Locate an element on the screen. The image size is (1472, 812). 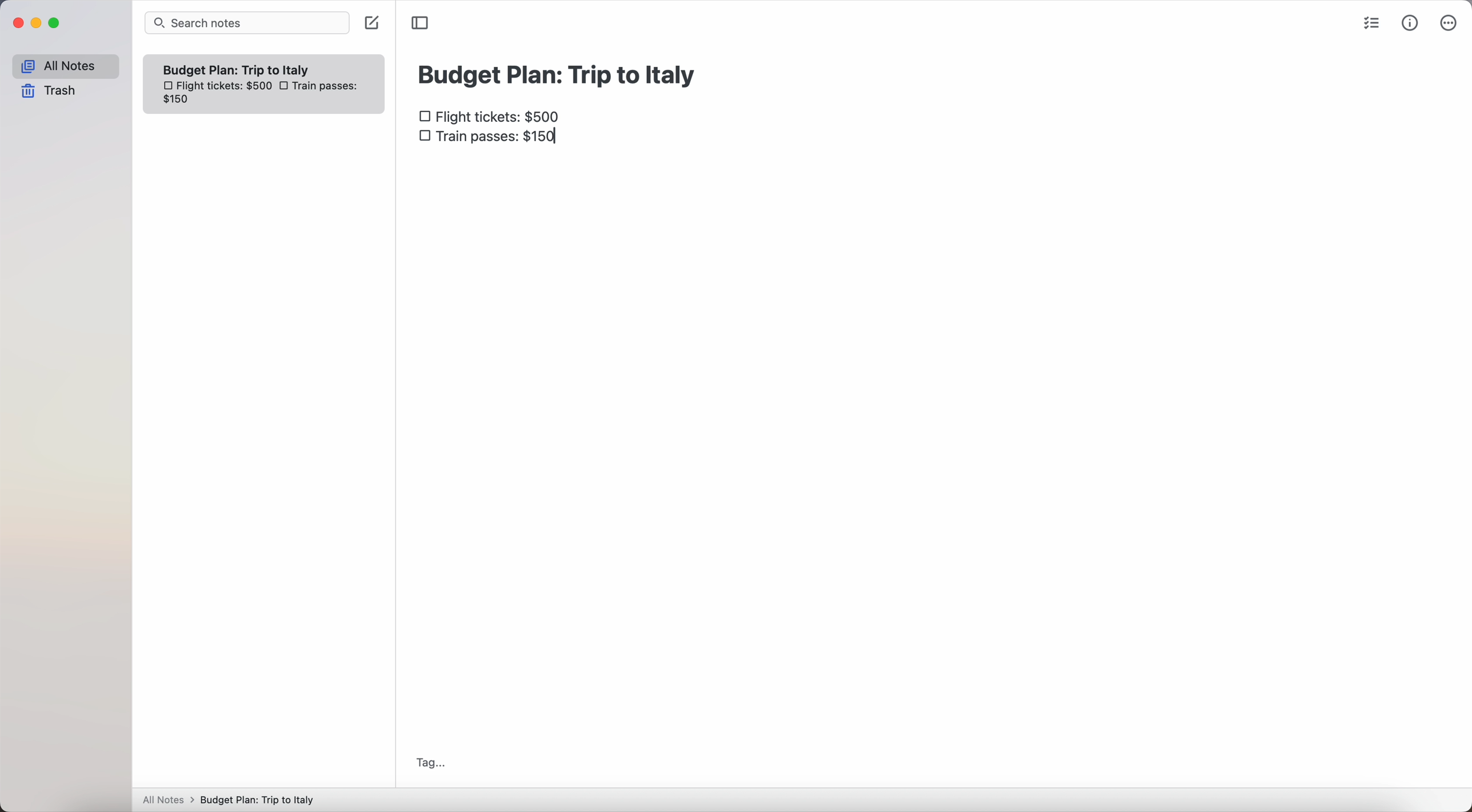
flight tickets: $500 is located at coordinates (217, 87).